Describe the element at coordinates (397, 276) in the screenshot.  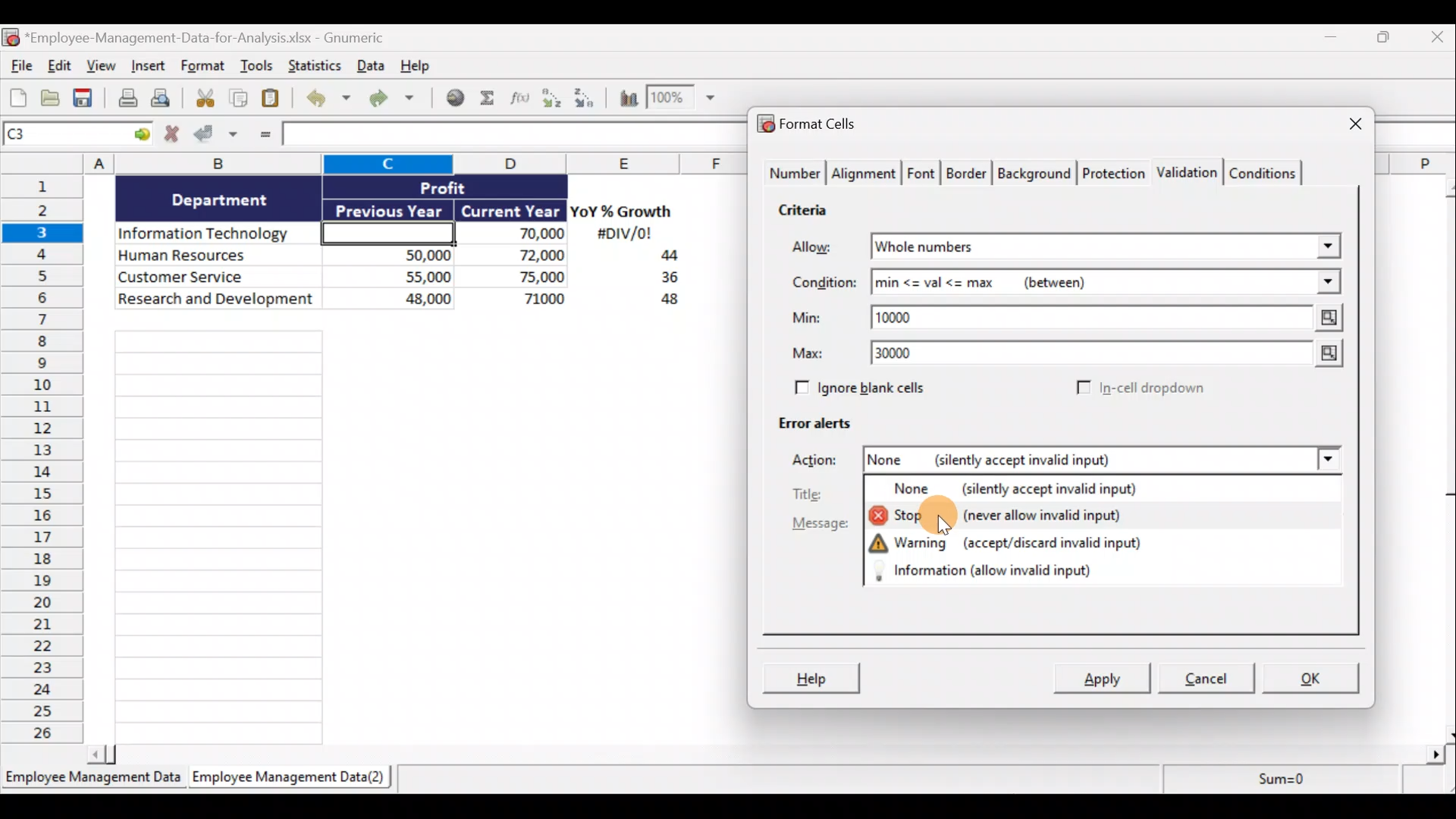
I see `55,000` at that location.